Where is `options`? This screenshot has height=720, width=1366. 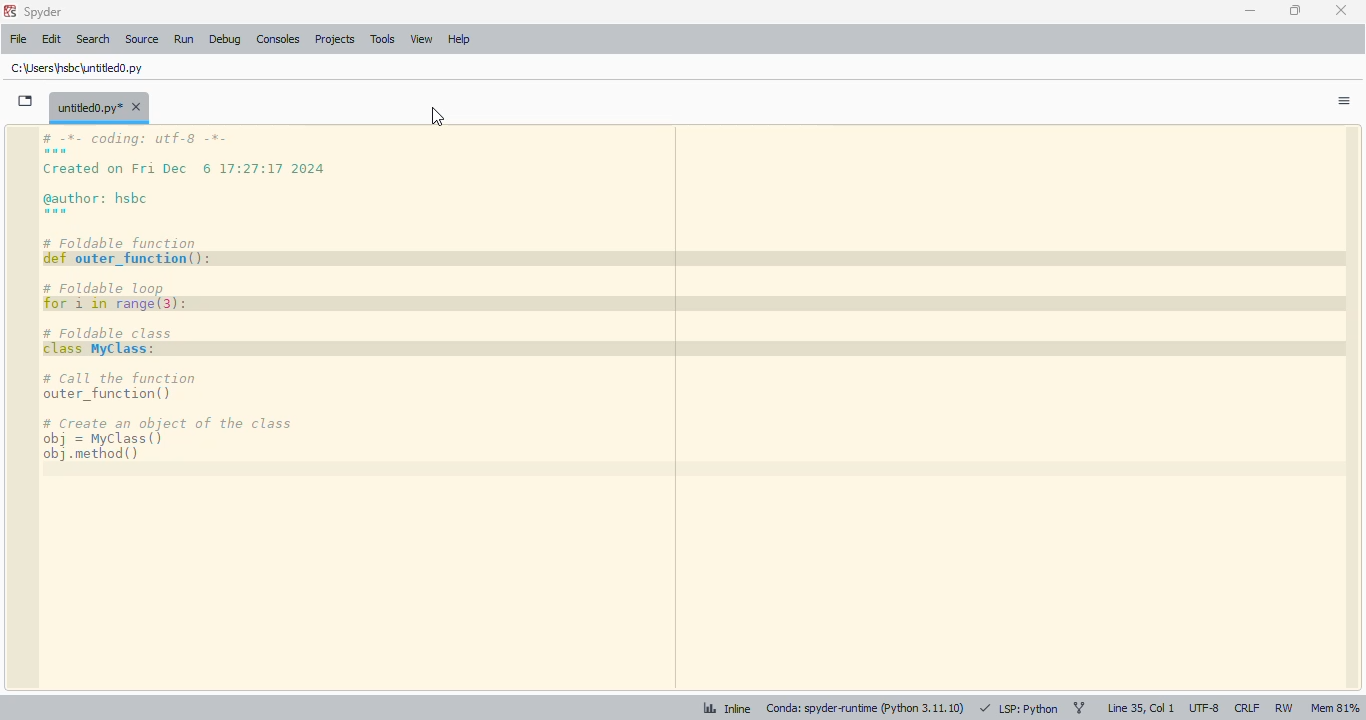
options is located at coordinates (1344, 101).